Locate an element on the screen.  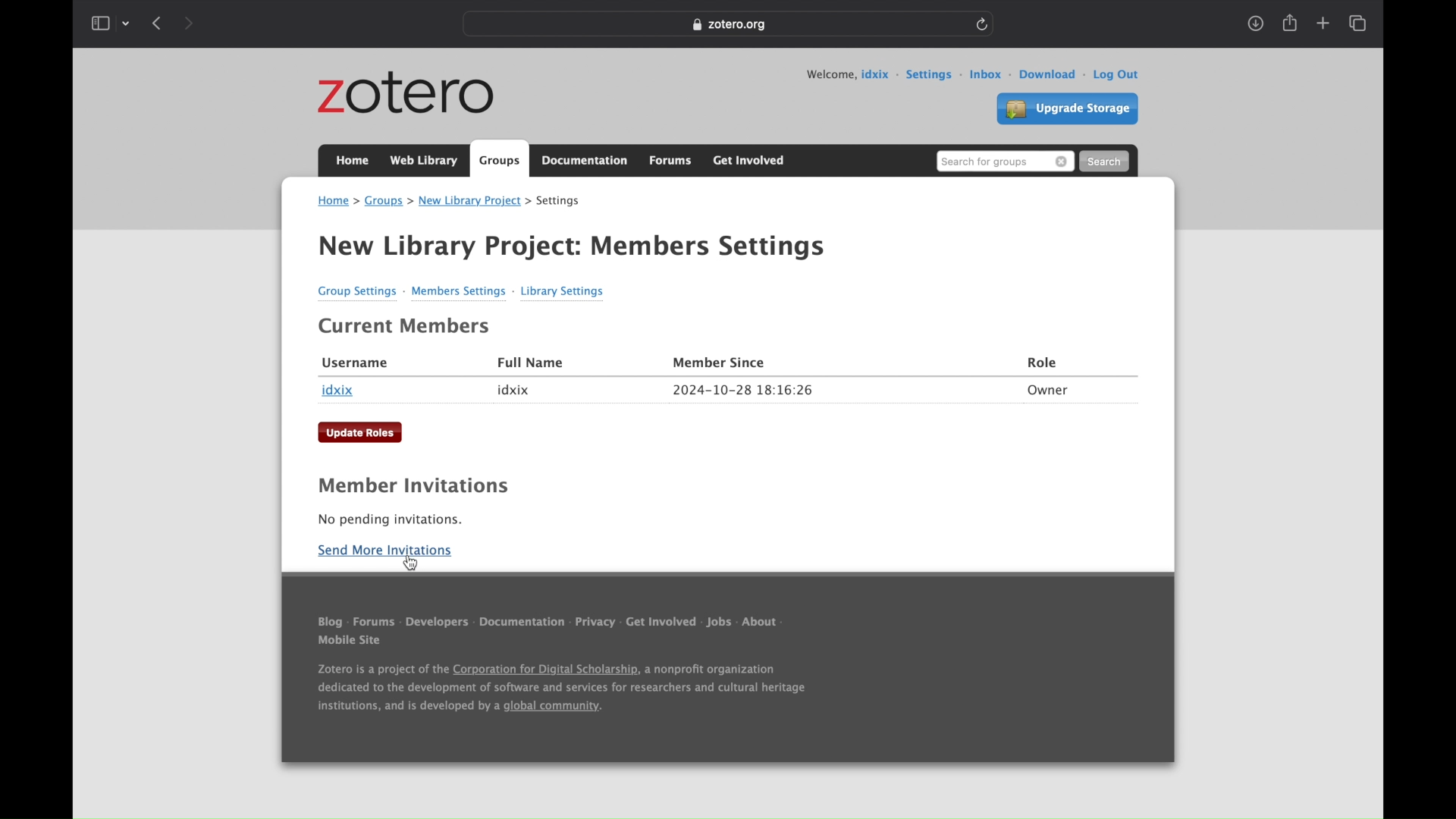
show next page is located at coordinates (188, 23).